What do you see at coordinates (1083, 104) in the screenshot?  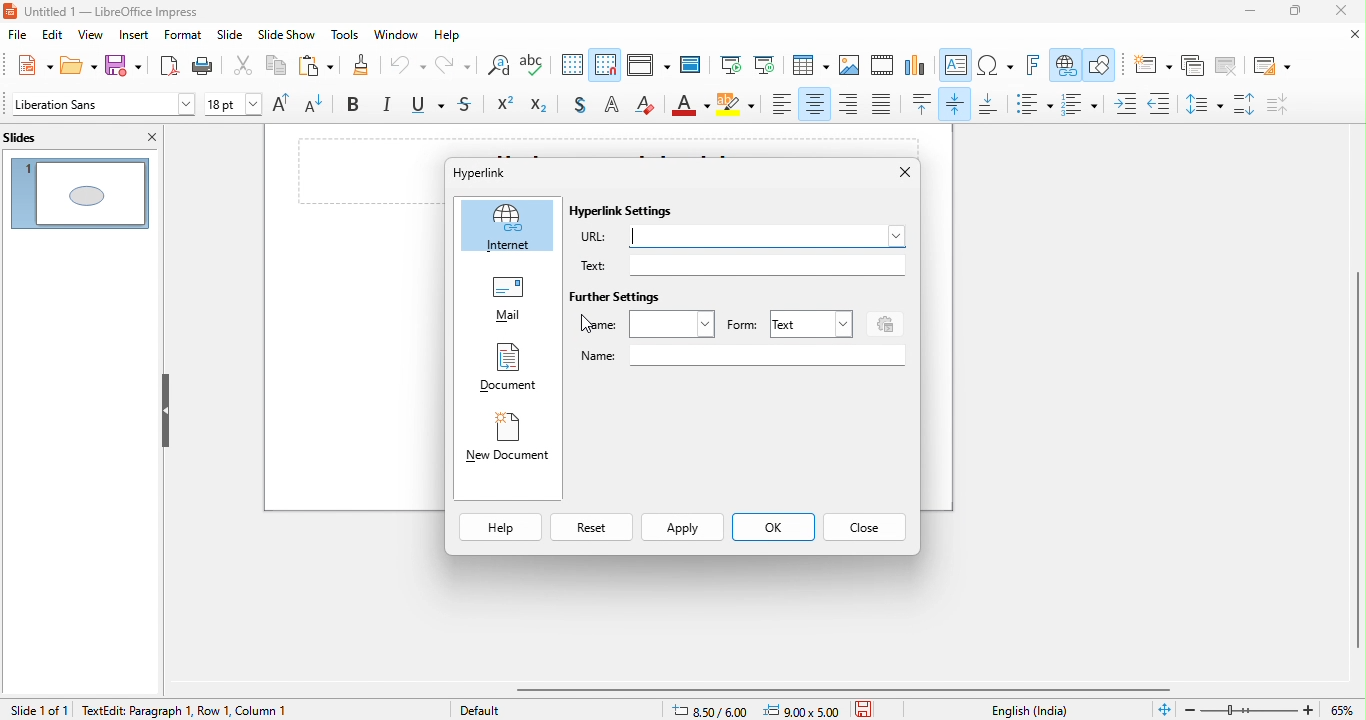 I see `toggle ordered list` at bounding box center [1083, 104].